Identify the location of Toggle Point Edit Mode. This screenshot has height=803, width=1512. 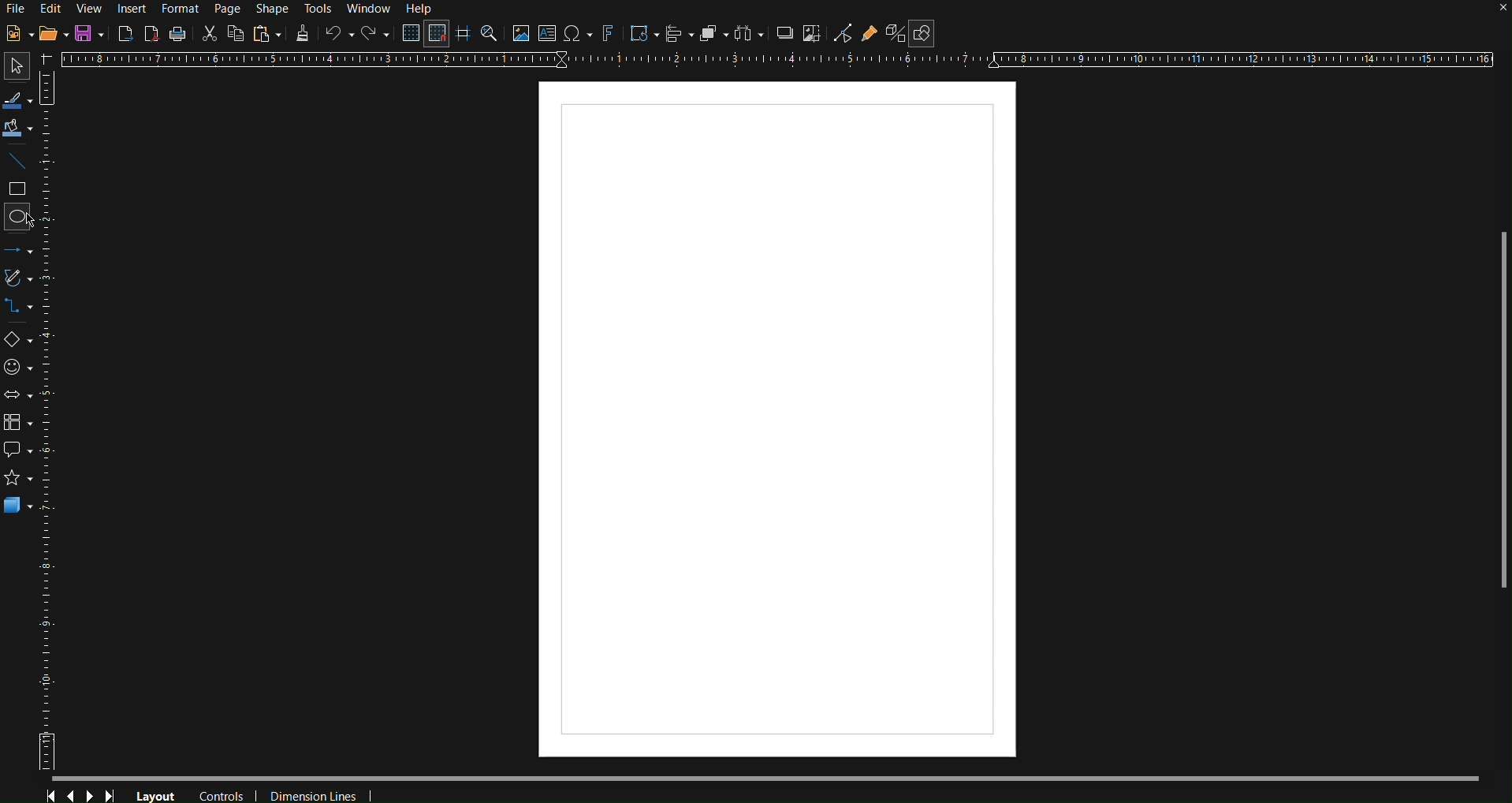
(843, 35).